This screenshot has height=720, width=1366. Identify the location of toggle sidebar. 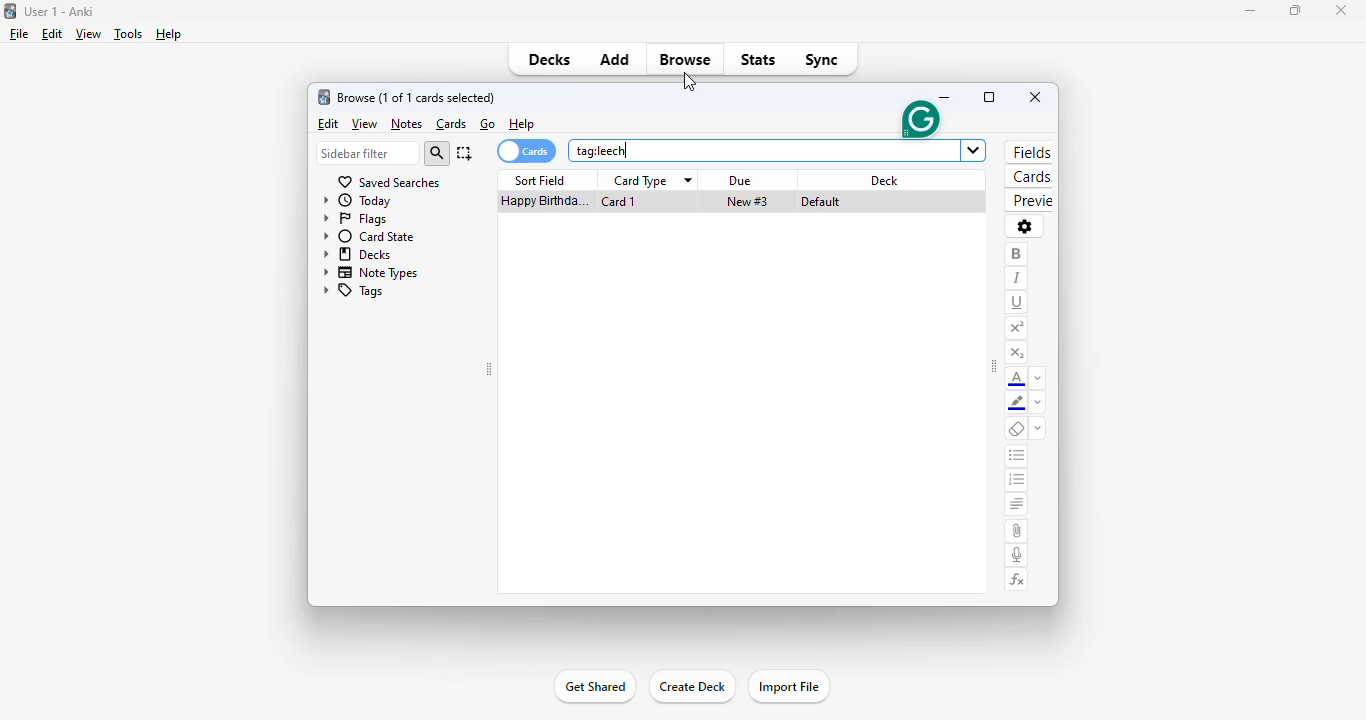
(994, 368).